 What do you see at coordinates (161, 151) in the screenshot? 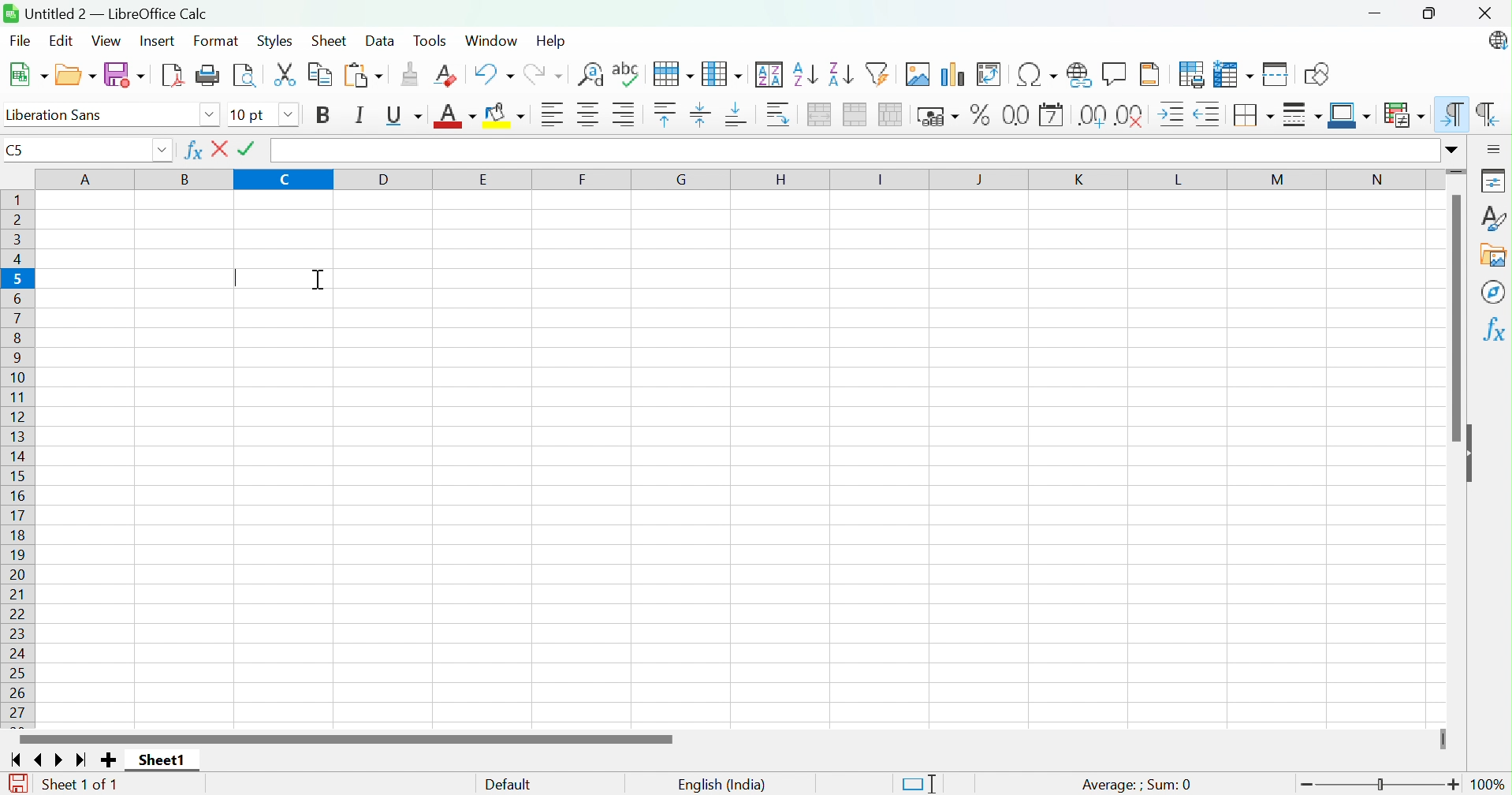
I see `Drop down` at bounding box center [161, 151].